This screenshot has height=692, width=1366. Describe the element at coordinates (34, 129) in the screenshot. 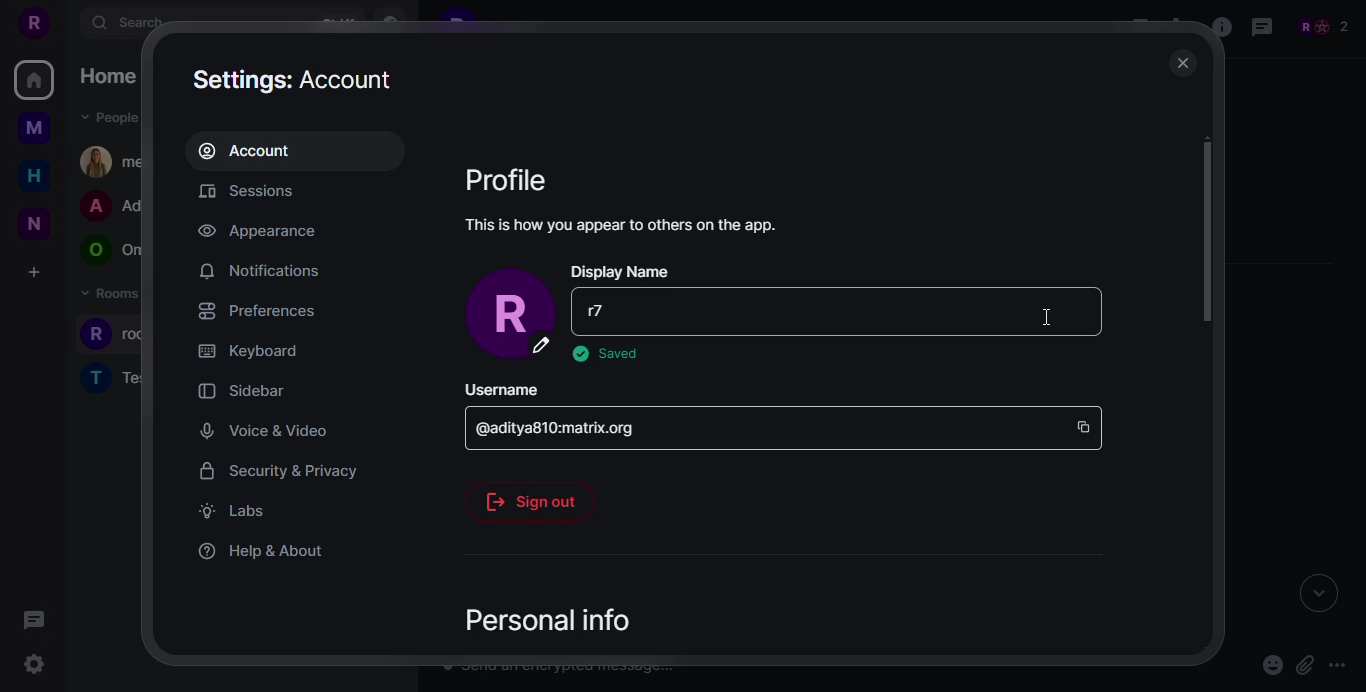

I see `myspace` at that location.